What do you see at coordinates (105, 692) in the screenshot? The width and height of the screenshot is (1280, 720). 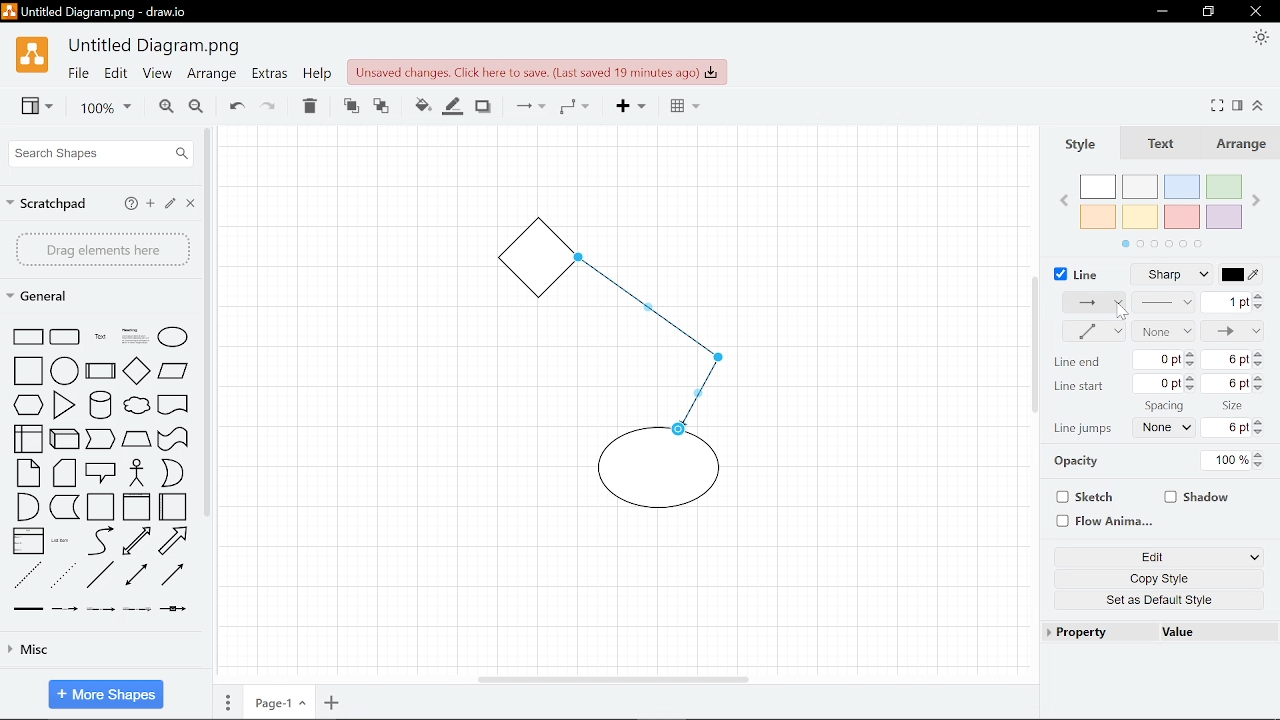 I see `More shapes` at bounding box center [105, 692].